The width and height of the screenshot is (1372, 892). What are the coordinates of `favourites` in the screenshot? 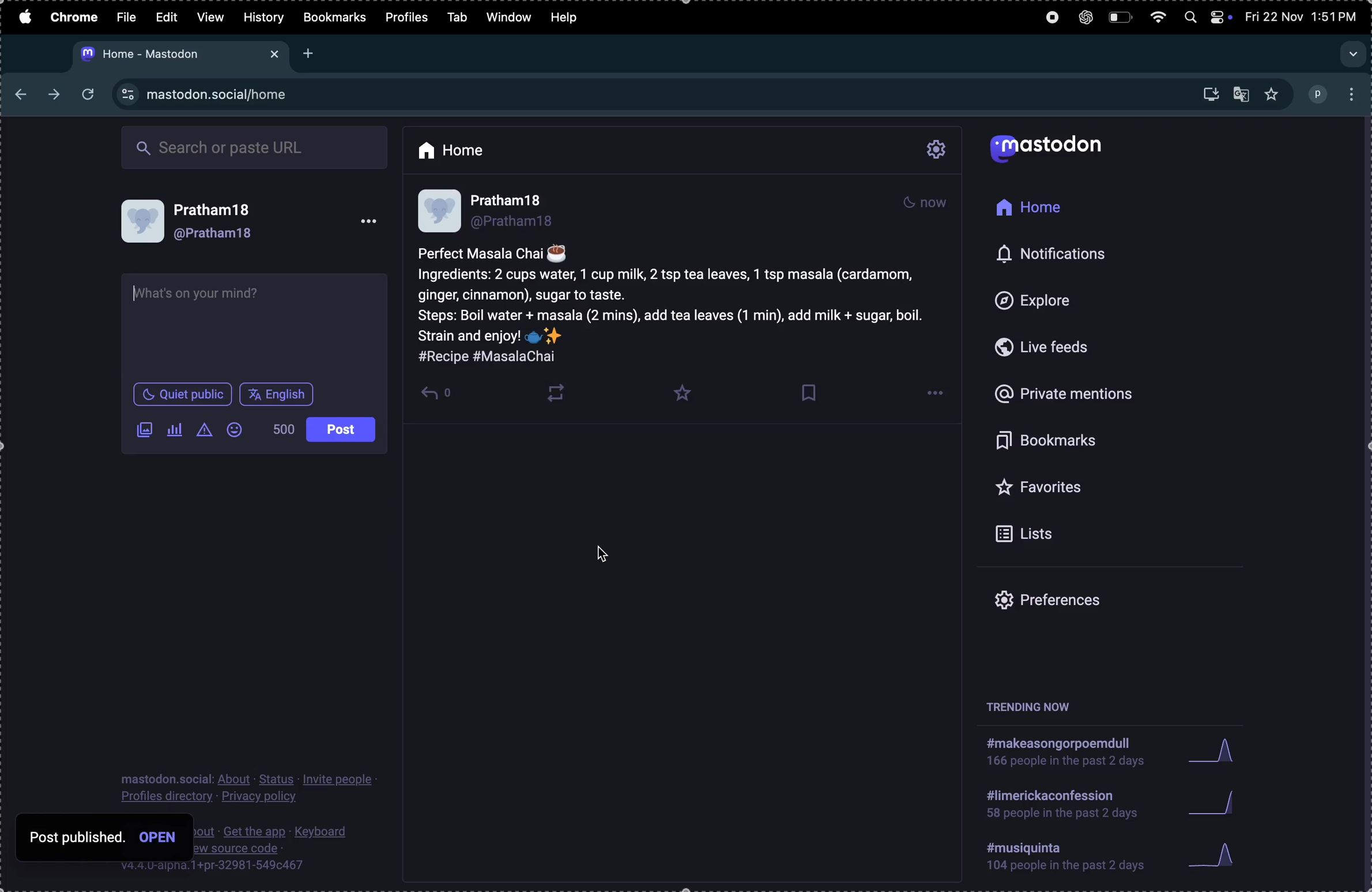 It's located at (1071, 490).